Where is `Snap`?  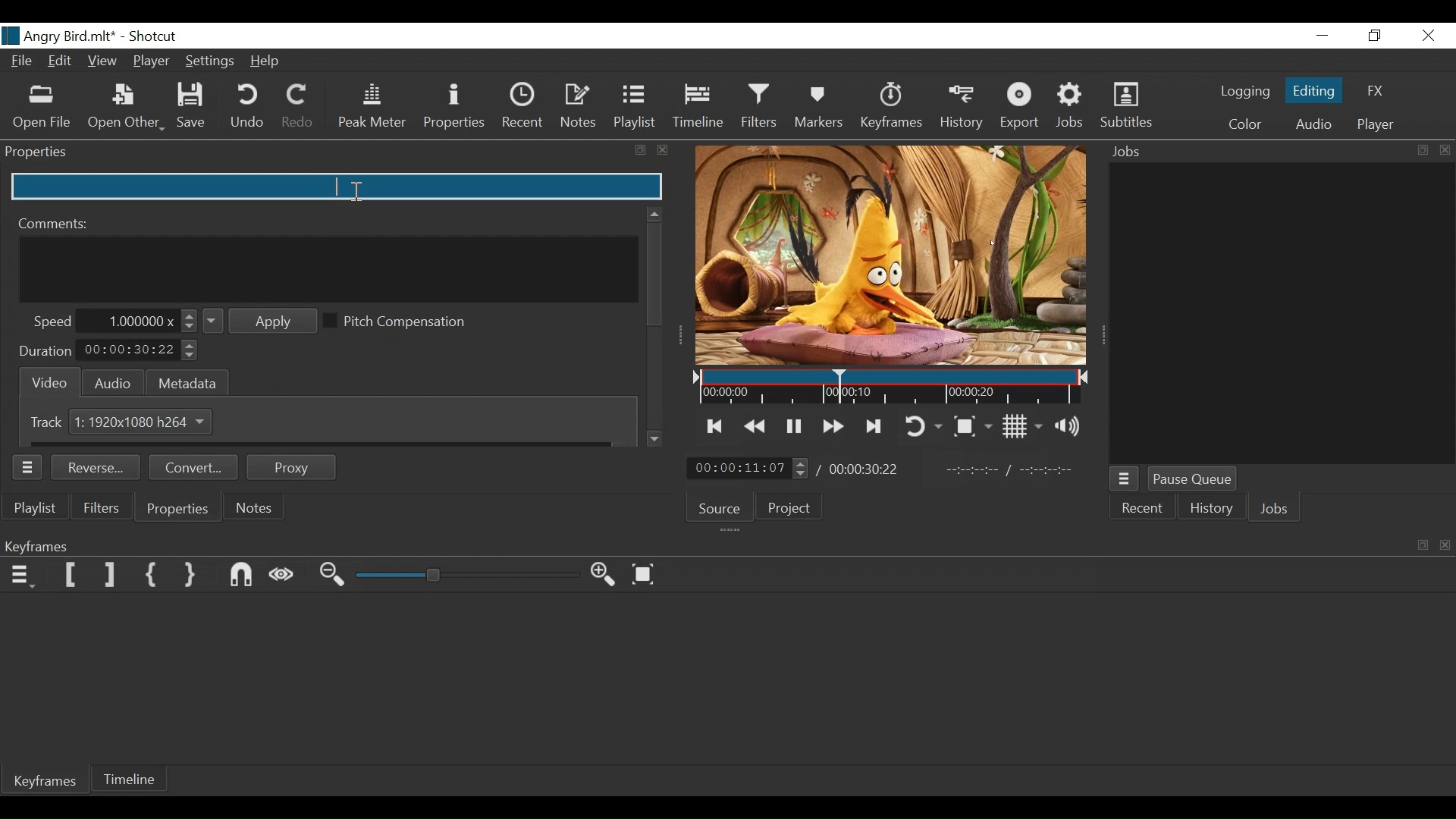
Snap is located at coordinates (243, 576).